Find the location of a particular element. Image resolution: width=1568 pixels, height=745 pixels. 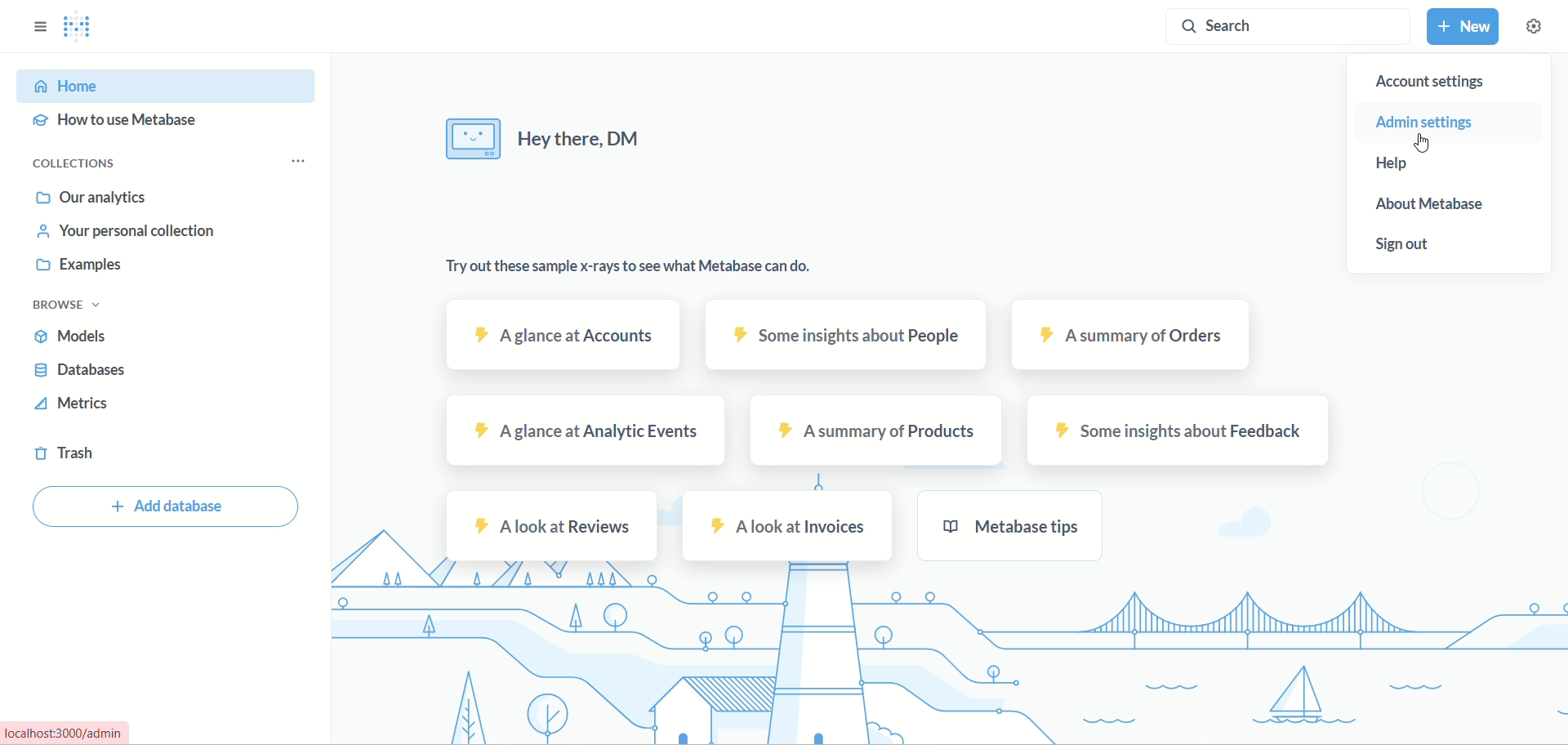

our analytics is located at coordinates (87, 198).